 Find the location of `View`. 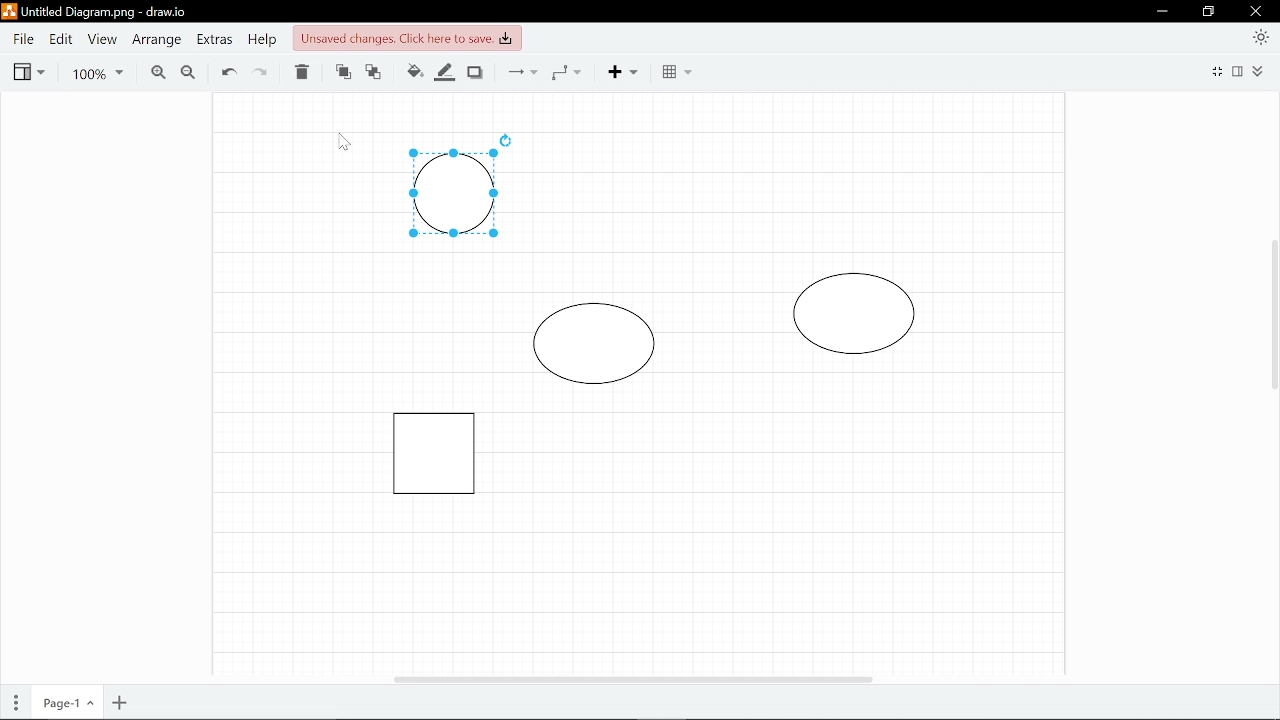

View is located at coordinates (28, 70).